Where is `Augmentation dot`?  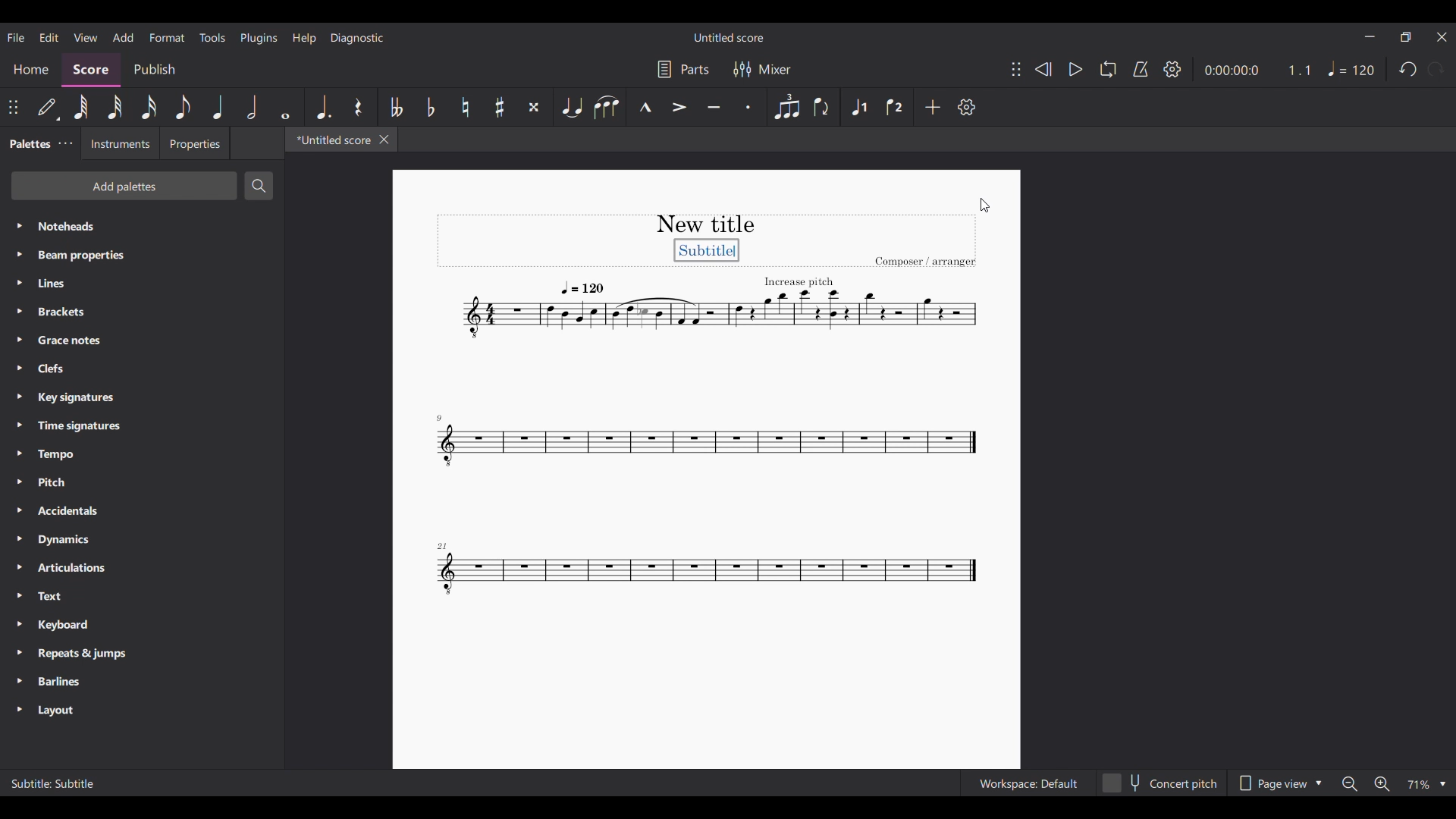
Augmentation dot is located at coordinates (322, 107).